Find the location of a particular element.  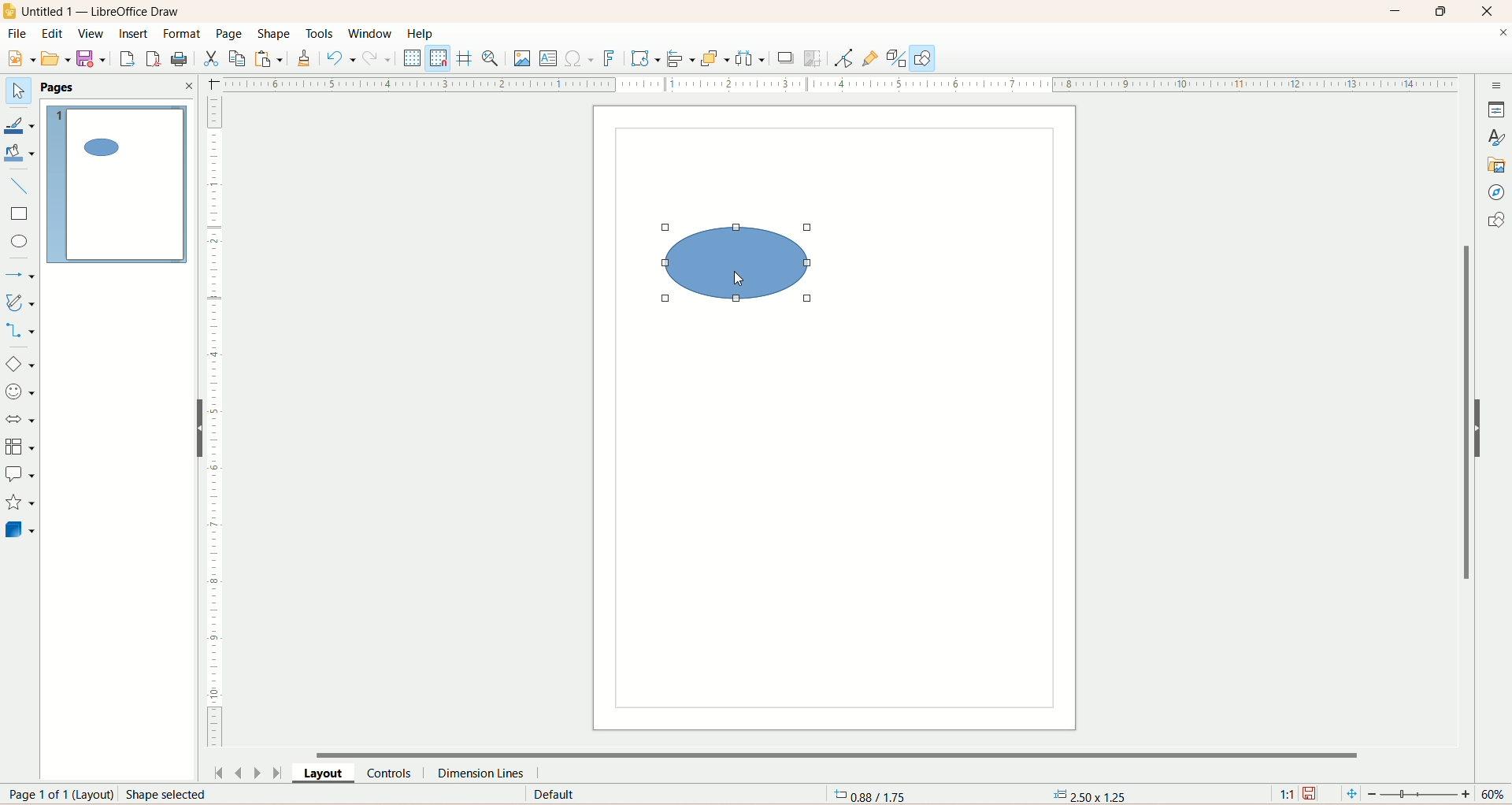

toggle extrusion is located at coordinates (899, 59).